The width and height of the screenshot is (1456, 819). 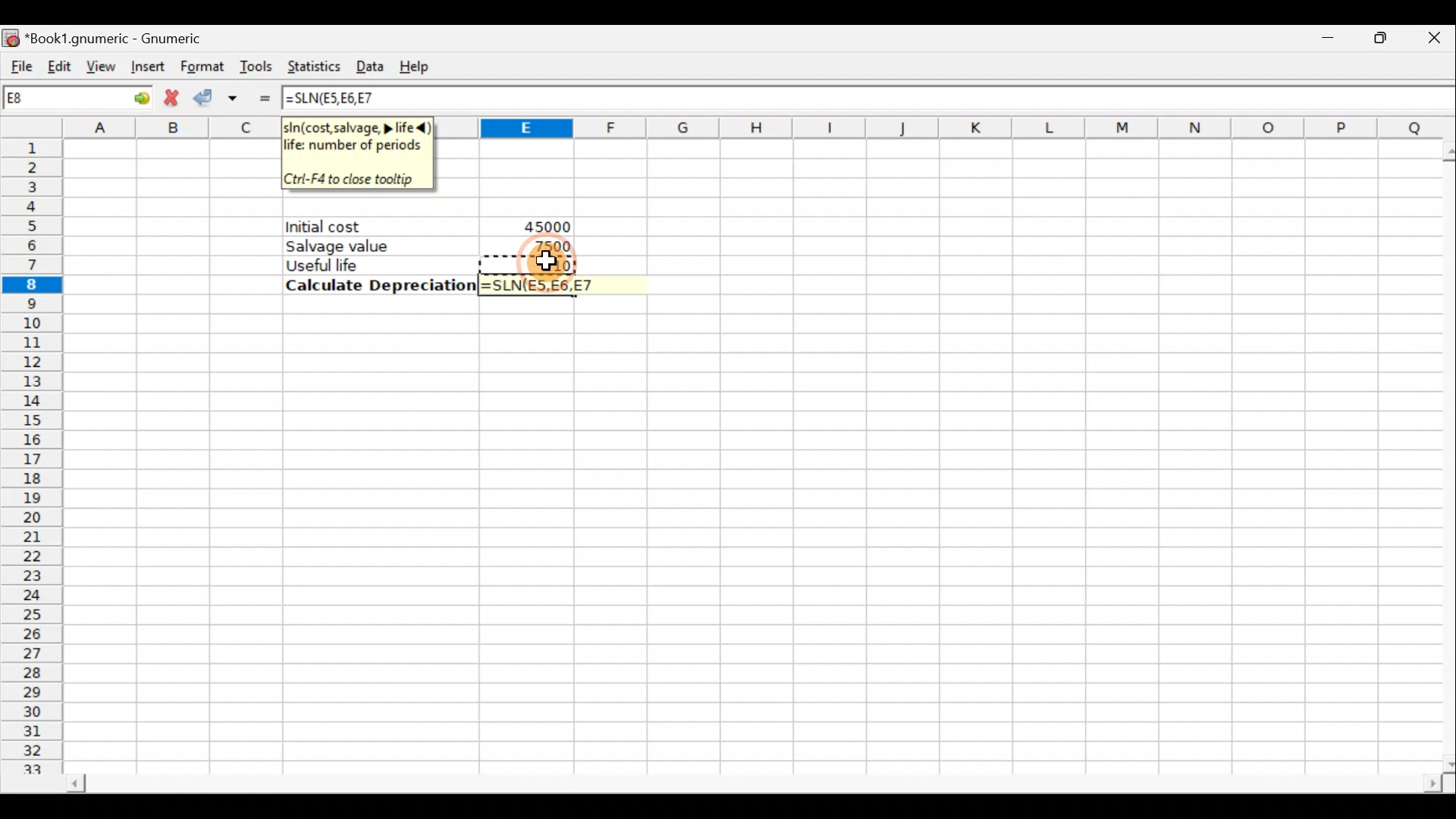 I want to click on Rows, so click(x=36, y=458).